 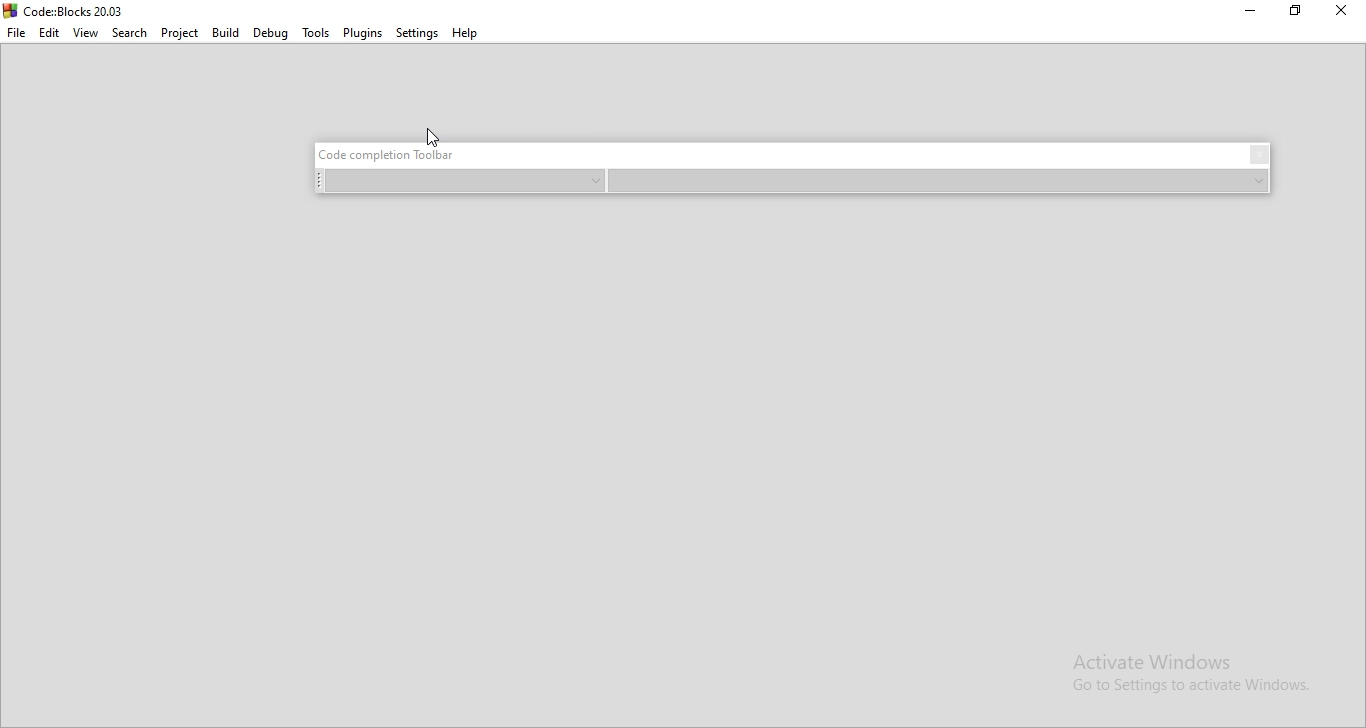 What do you see at coordinates (67, 10) in the screenshot?
I see `logo` at bounding box center [67, 10].